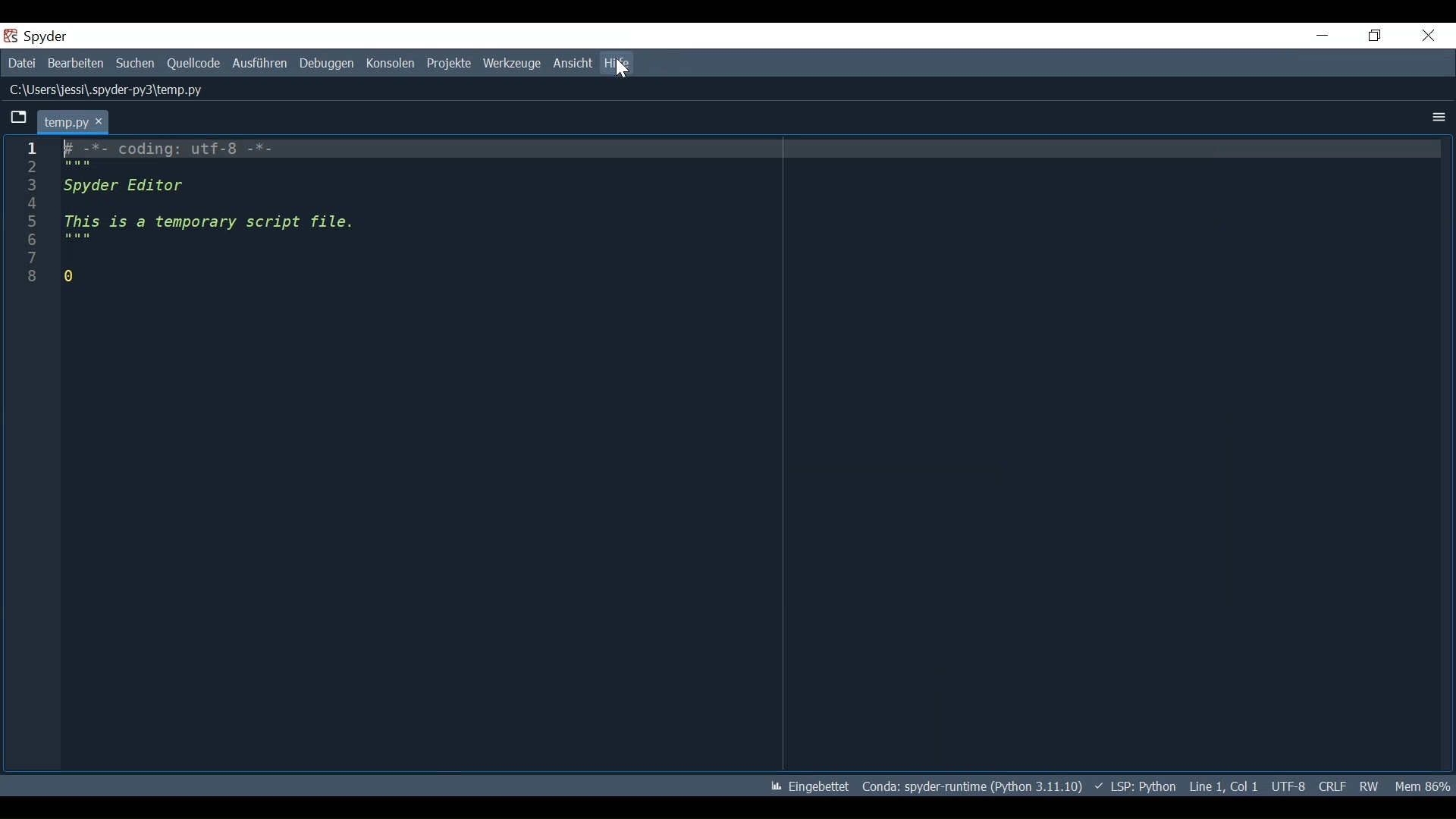 The image size is (1456, 819). I want to click on Cursor, so click(624, 68).